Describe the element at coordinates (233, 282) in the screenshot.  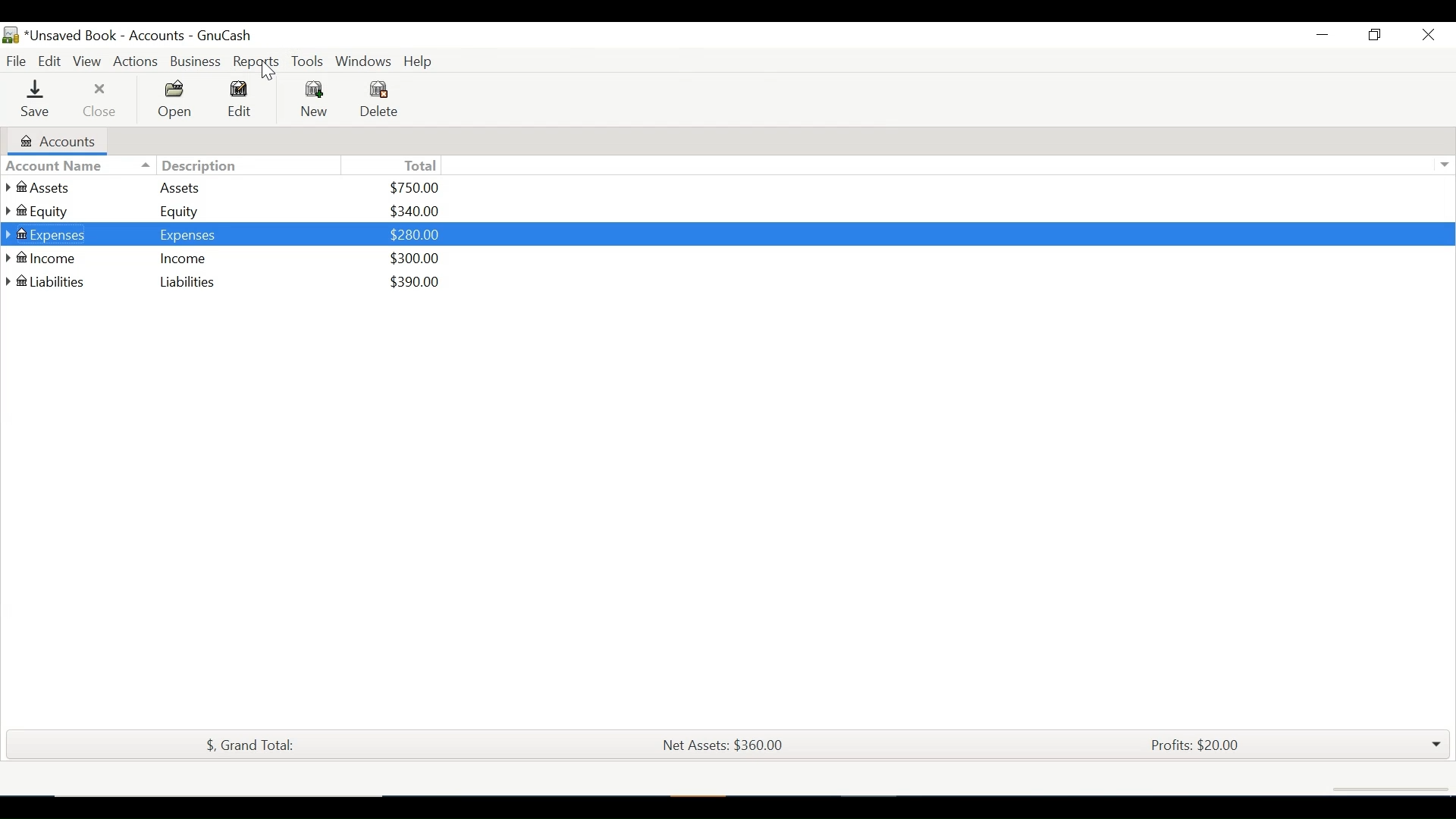
I see `# Liabilities Liabilities $390.00` at that location.